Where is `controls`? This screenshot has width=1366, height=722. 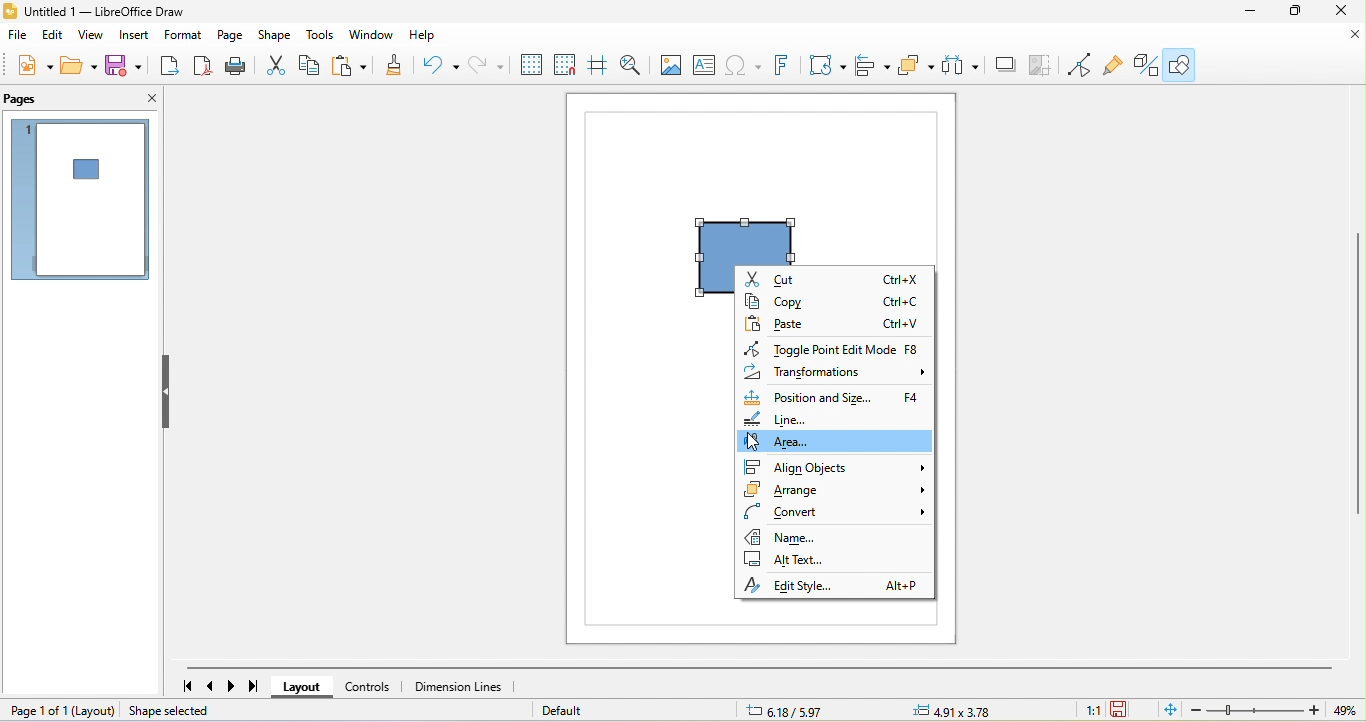 controls is located at coordinates (374, 684).